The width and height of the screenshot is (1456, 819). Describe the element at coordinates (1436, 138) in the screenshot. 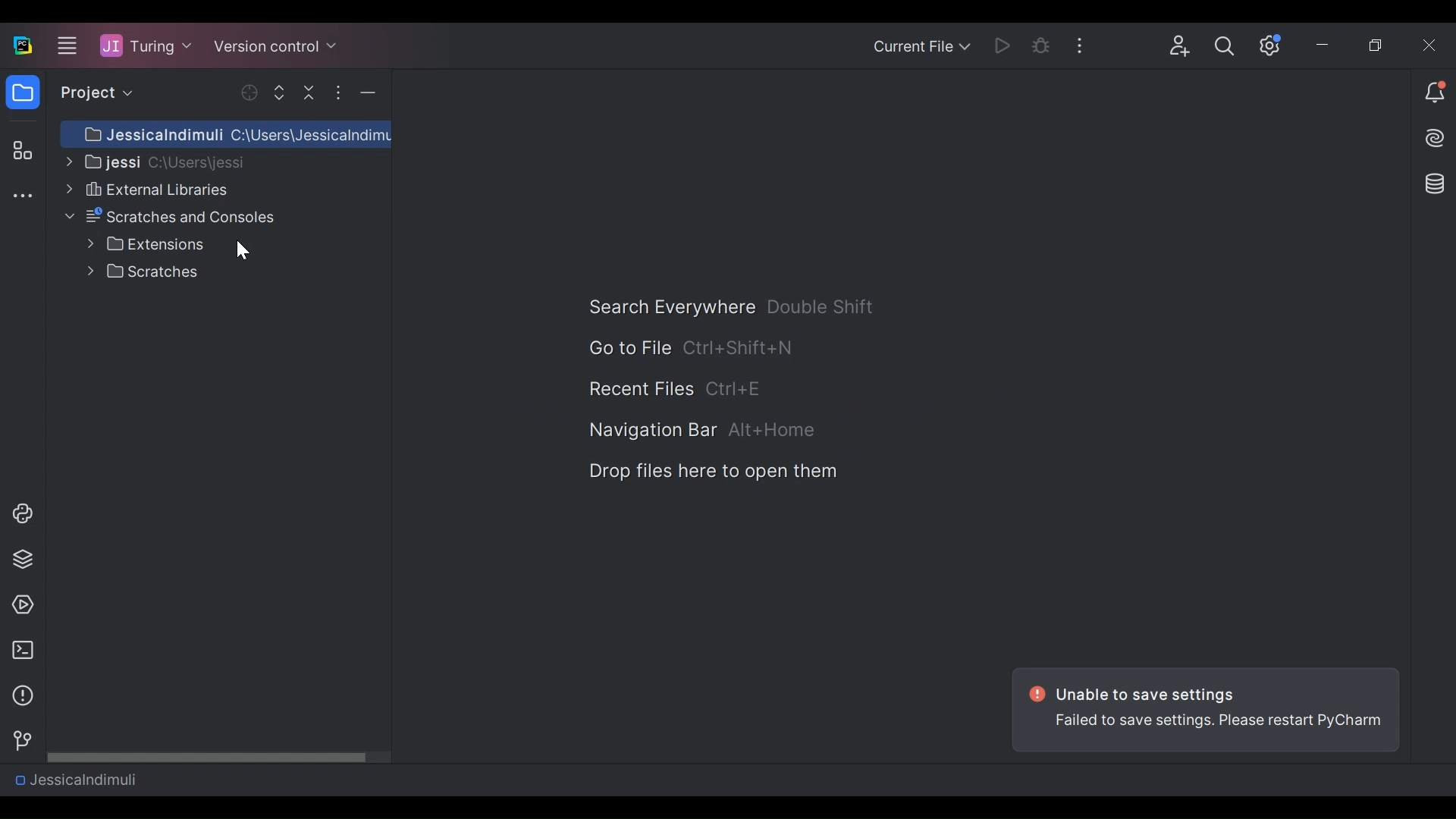

I see `AI Assistant` at that location.